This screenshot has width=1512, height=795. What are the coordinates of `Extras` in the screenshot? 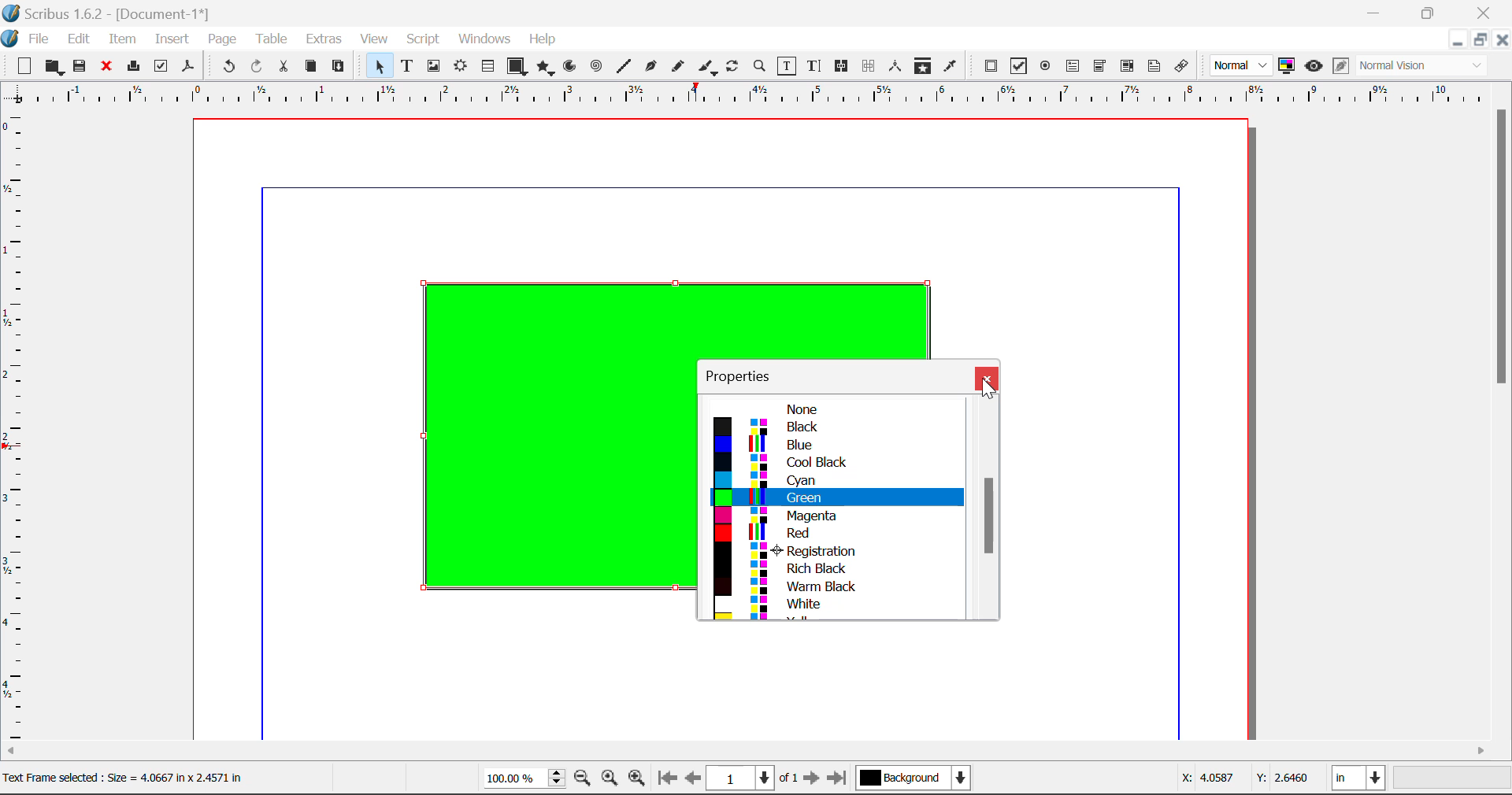 It's located at (325, 39).